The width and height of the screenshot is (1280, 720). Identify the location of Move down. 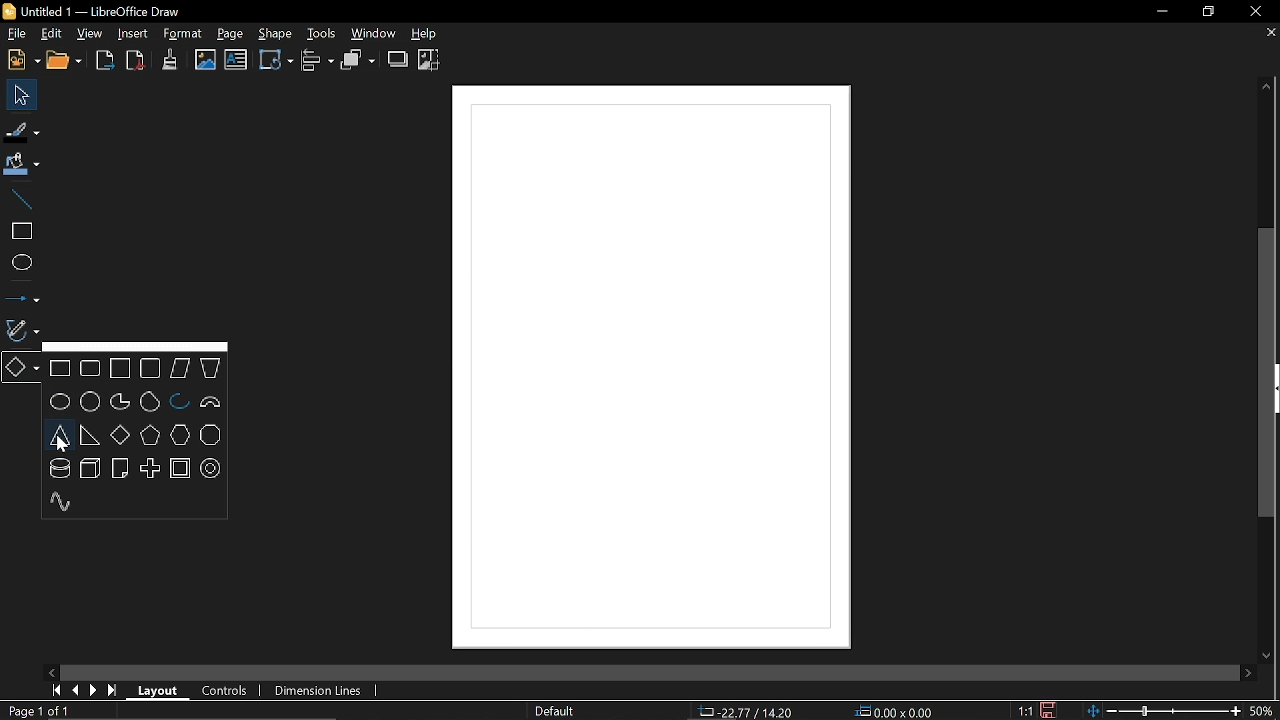
(1264, 655).